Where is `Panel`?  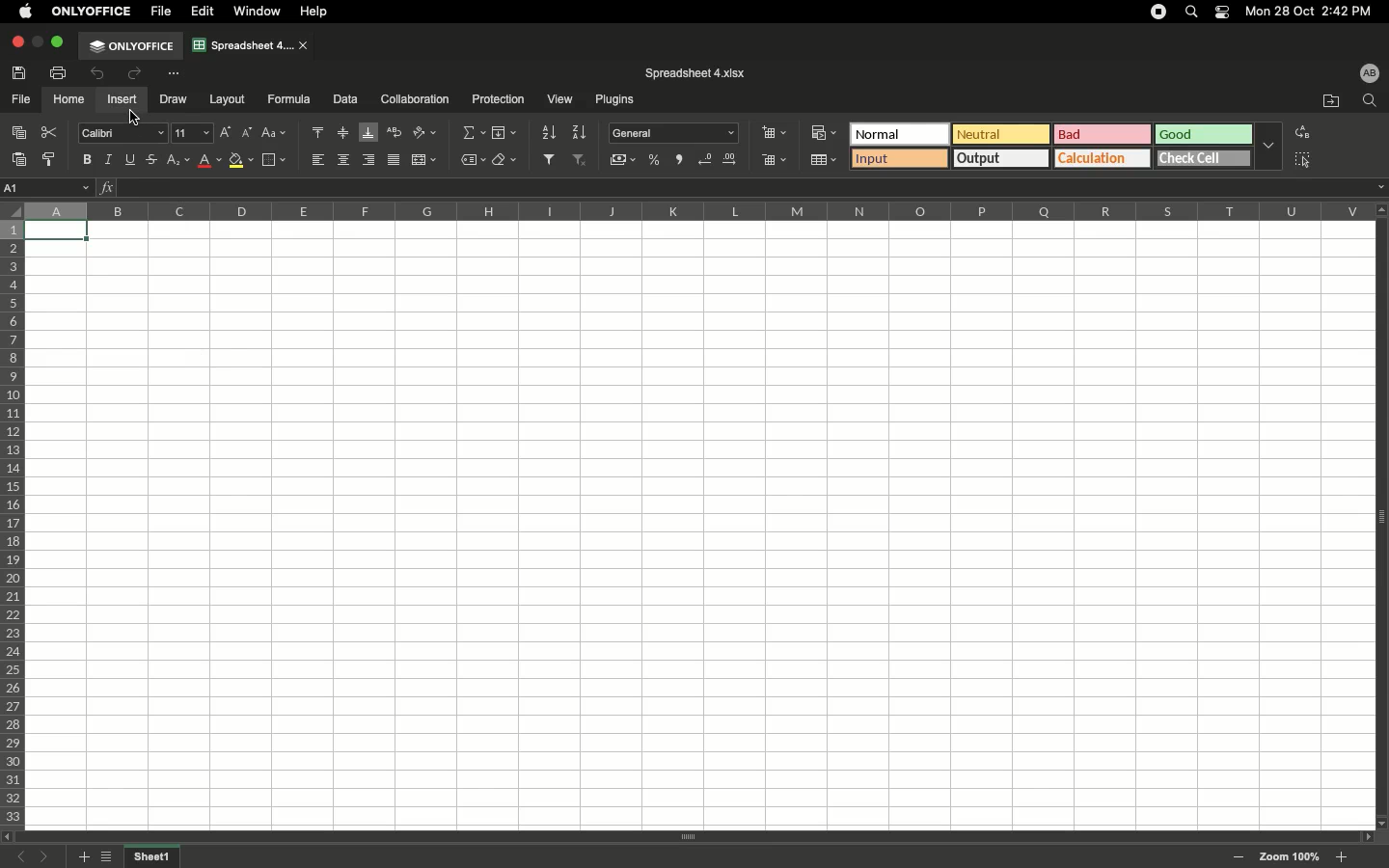
Panel is located at coordinates (1380, 517).